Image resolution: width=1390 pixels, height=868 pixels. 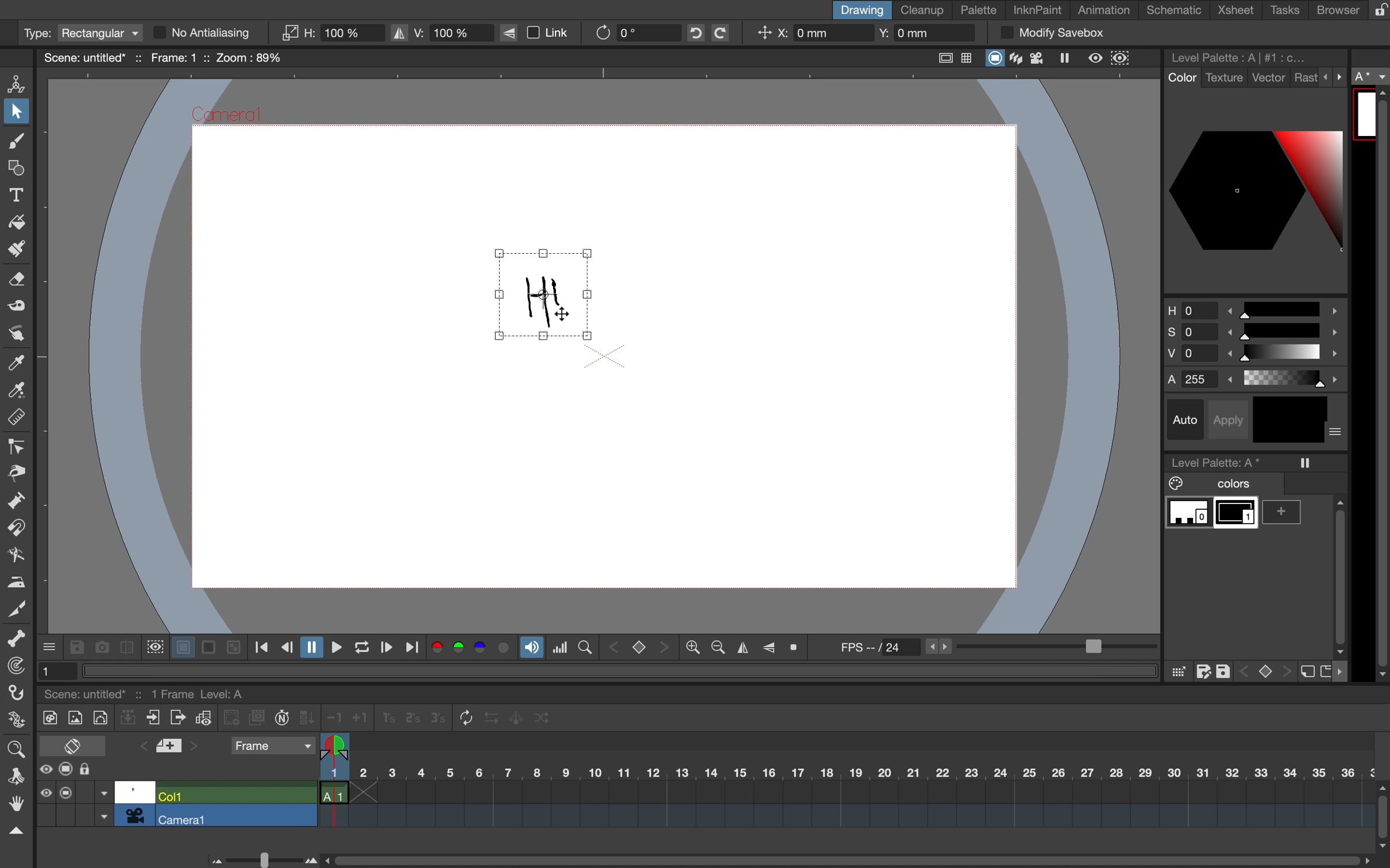 What do you see at coordinates (385, 649) in the screenshot?
I see `next frame` at bounding box center [385, 649].